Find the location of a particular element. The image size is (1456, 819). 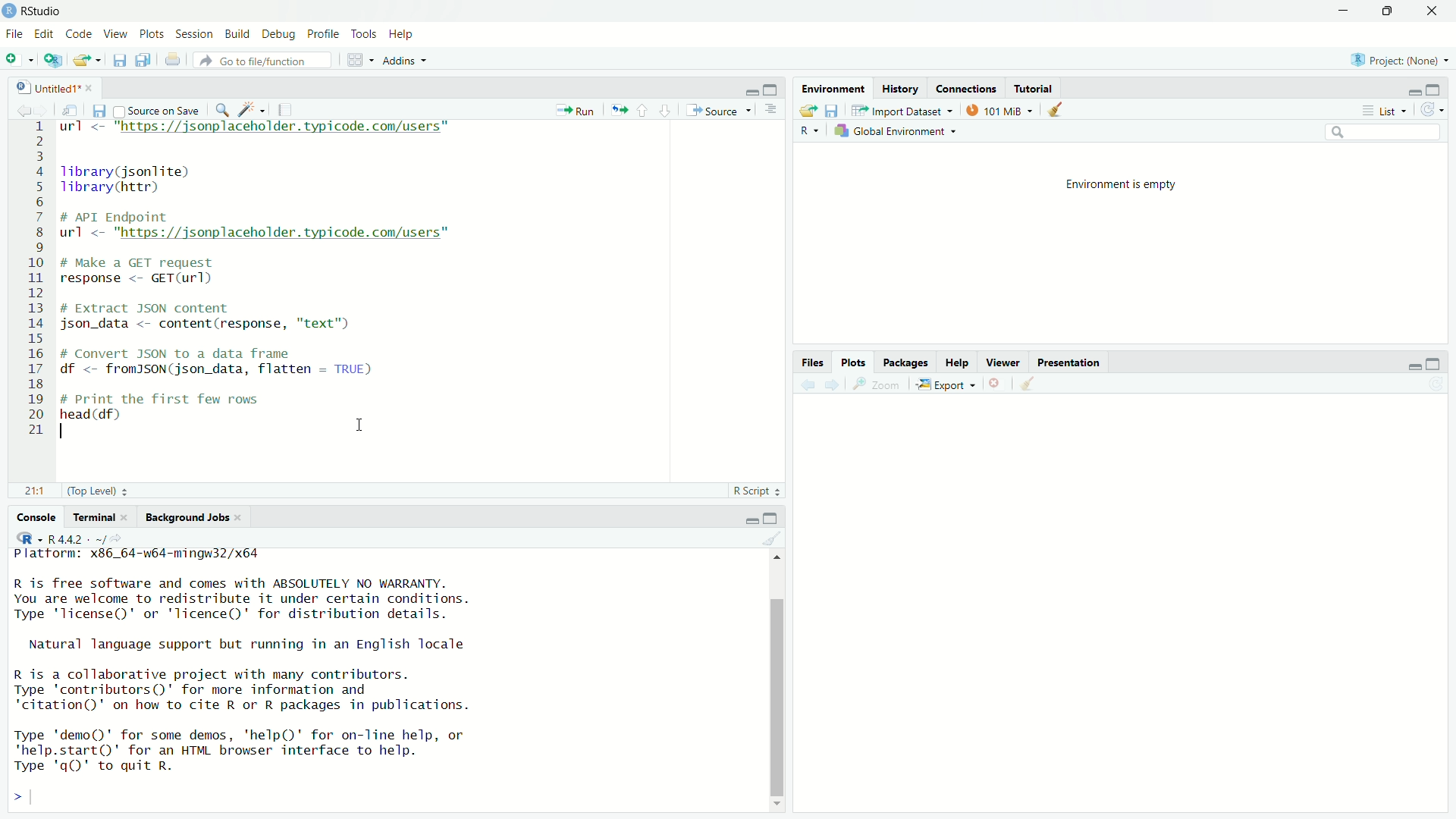

Zoom is located at coordinates (877, 386).